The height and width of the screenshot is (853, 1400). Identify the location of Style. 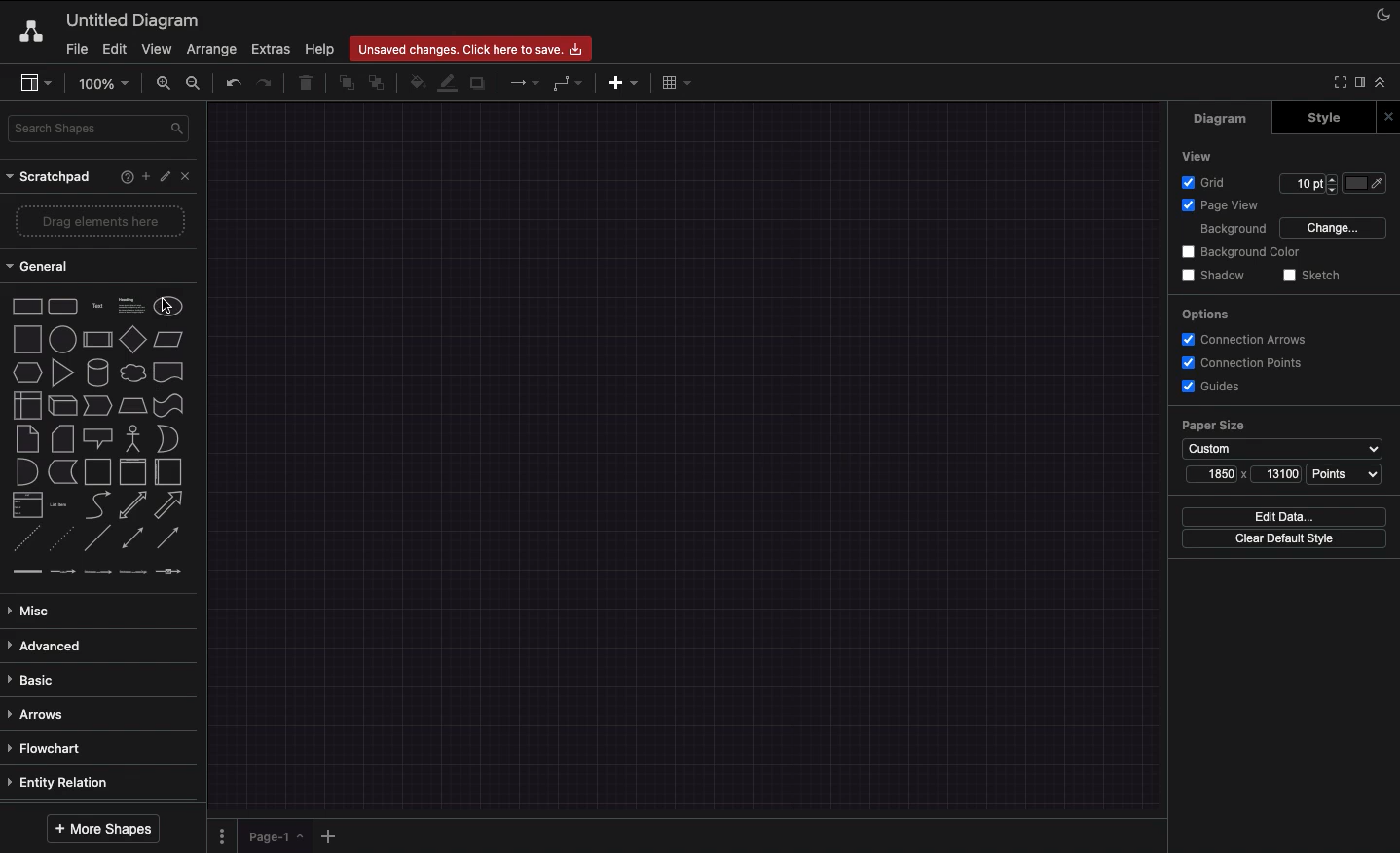
(1326, 117).